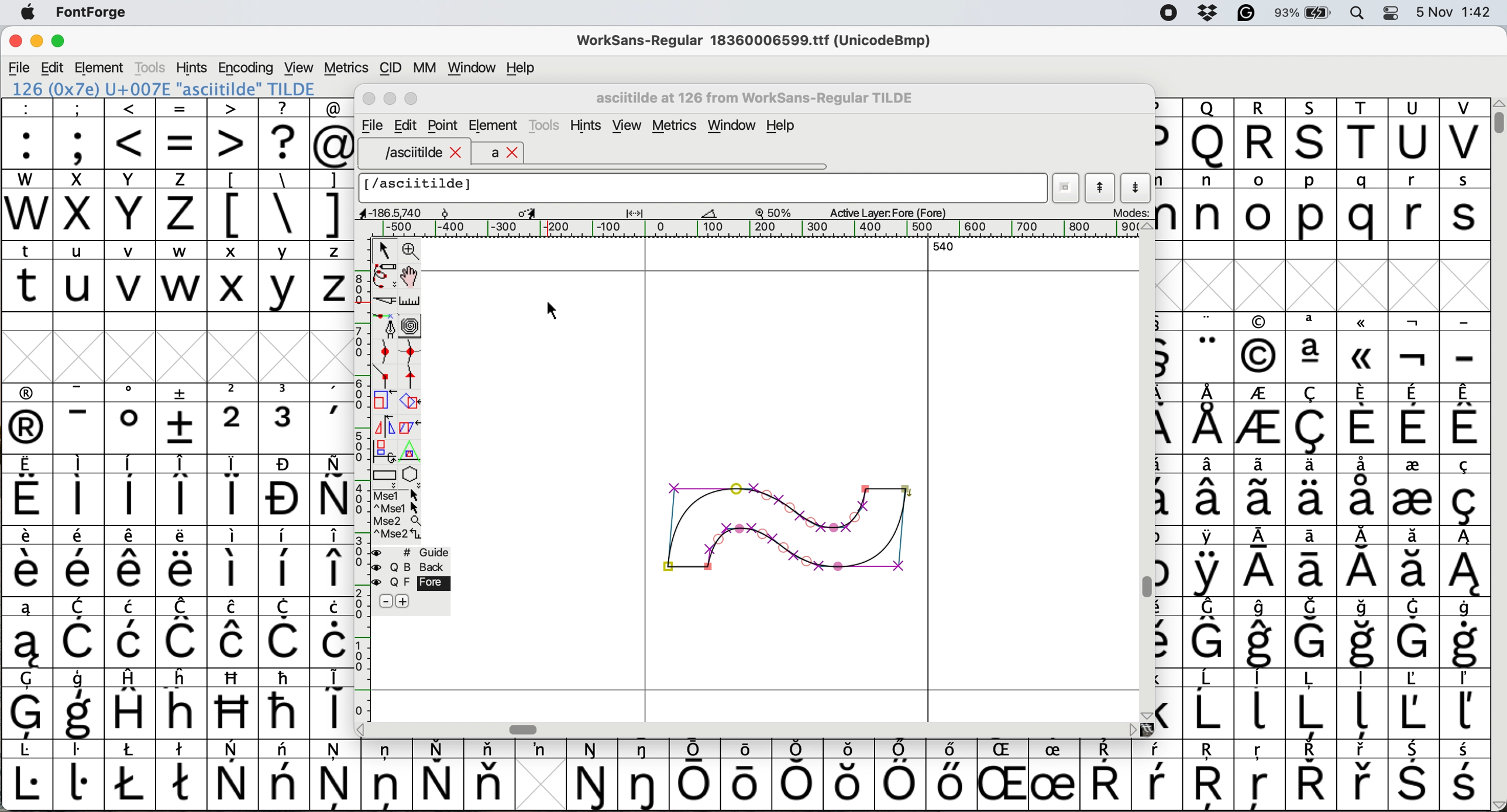 Image resolution: width=1507 pixels, height=812 pixels. I want to click on active layer, so click(886, 212).